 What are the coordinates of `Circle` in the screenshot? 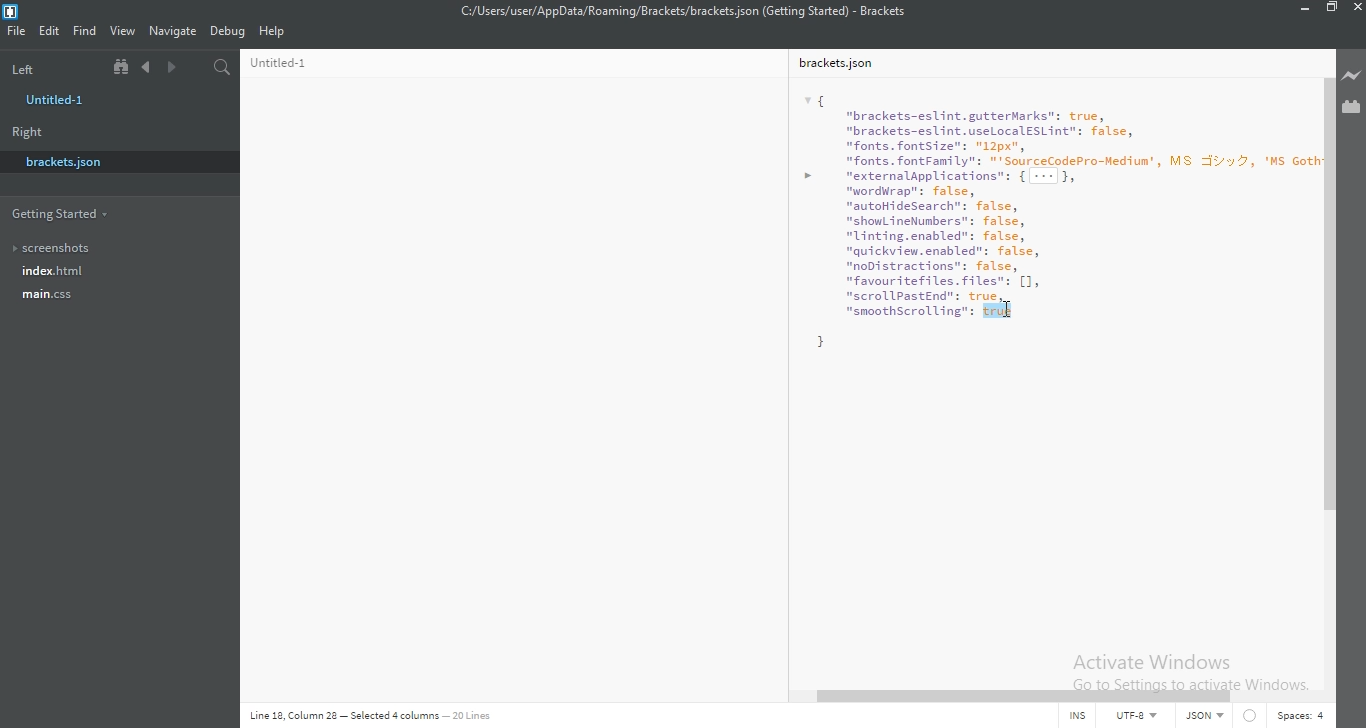 It's located at (1257, 718).